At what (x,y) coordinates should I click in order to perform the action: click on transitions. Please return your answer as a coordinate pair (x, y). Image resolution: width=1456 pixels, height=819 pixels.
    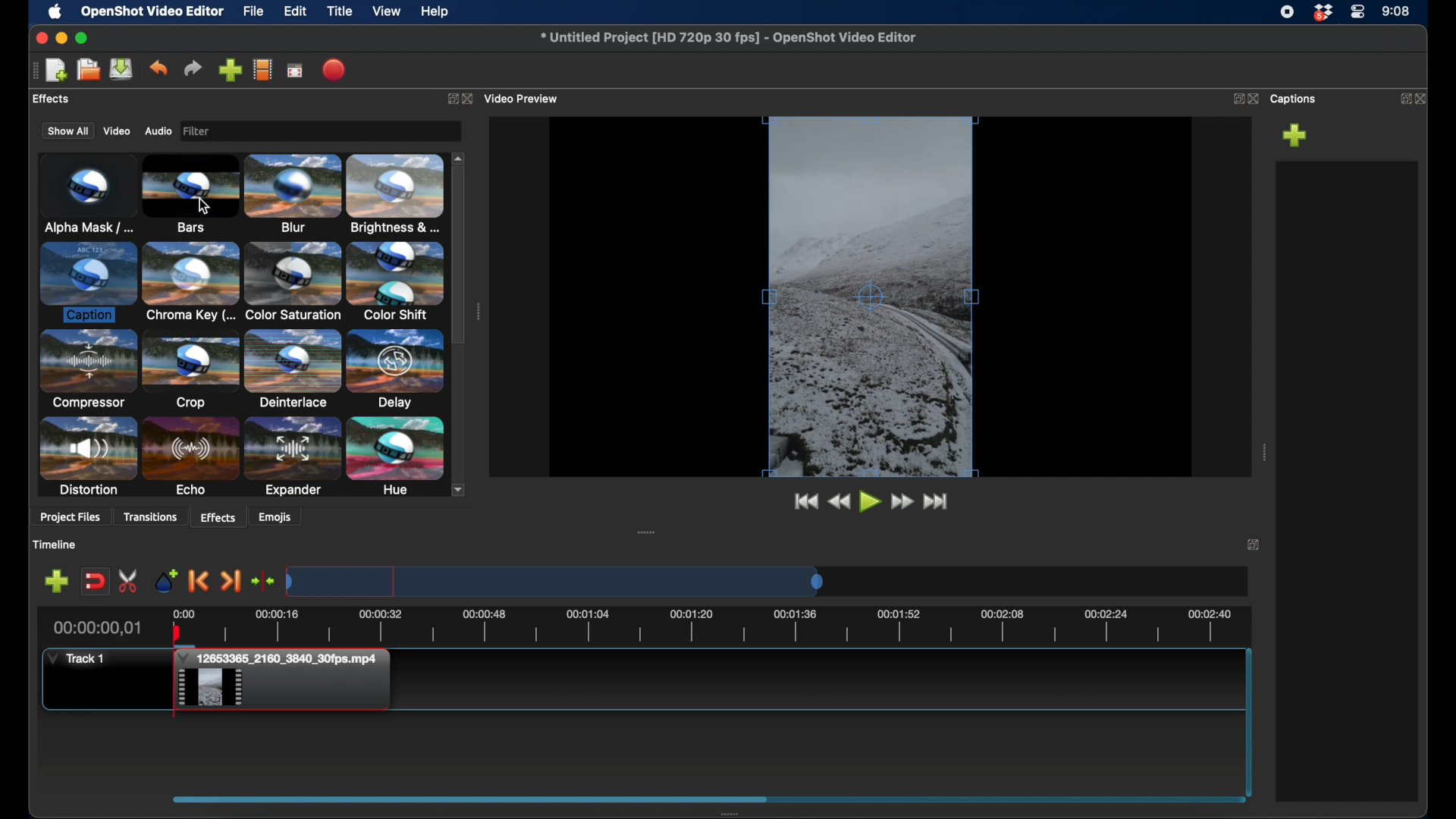
    Looking at the image, I should click on (152, 516).